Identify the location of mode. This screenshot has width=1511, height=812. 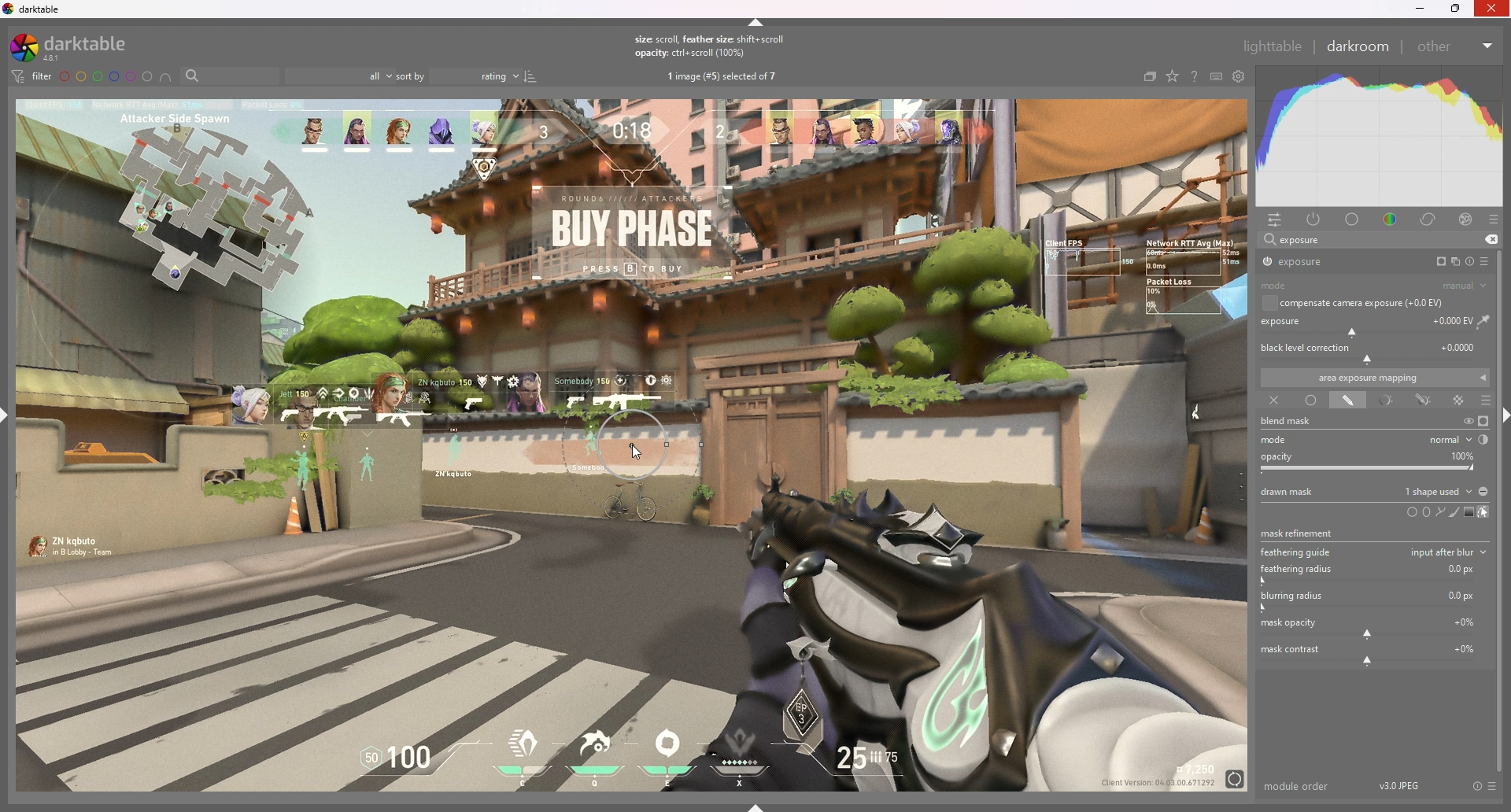
(1374, 286).